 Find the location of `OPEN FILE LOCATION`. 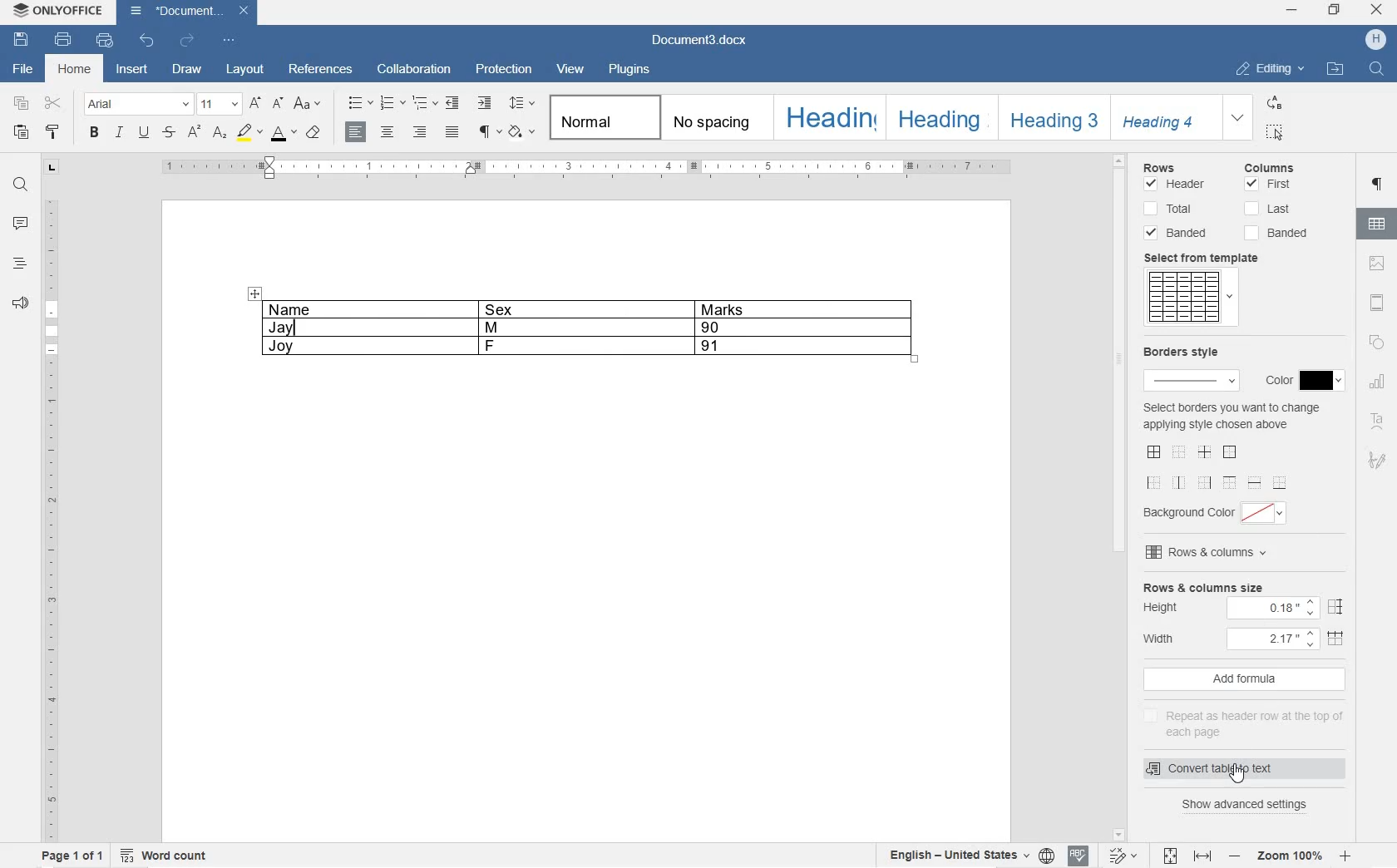

OPEN FILE LOCATION is located at coordinates (1333, 70).